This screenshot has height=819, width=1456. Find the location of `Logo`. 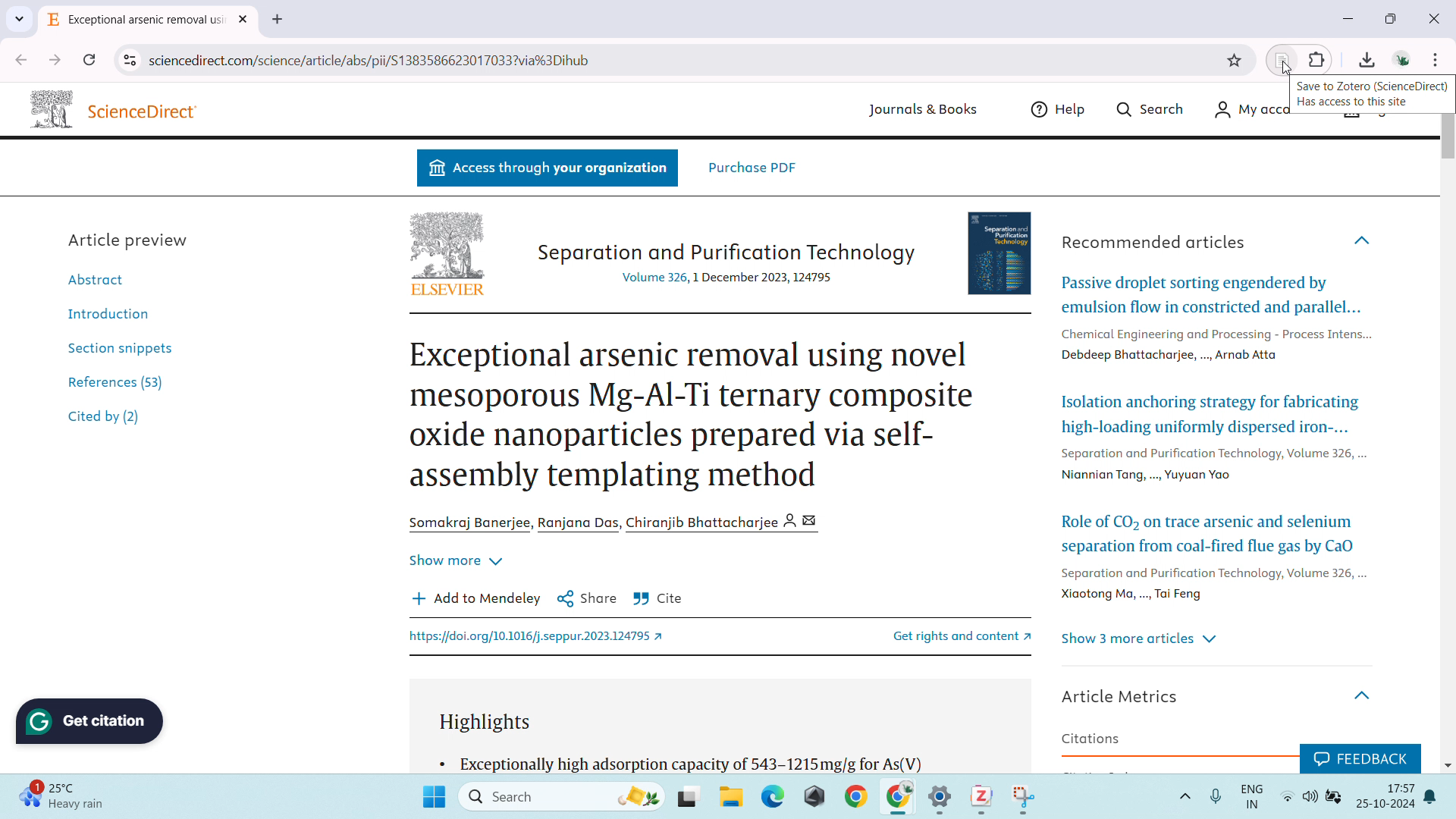

Logo is located at coordinates (447, 244).